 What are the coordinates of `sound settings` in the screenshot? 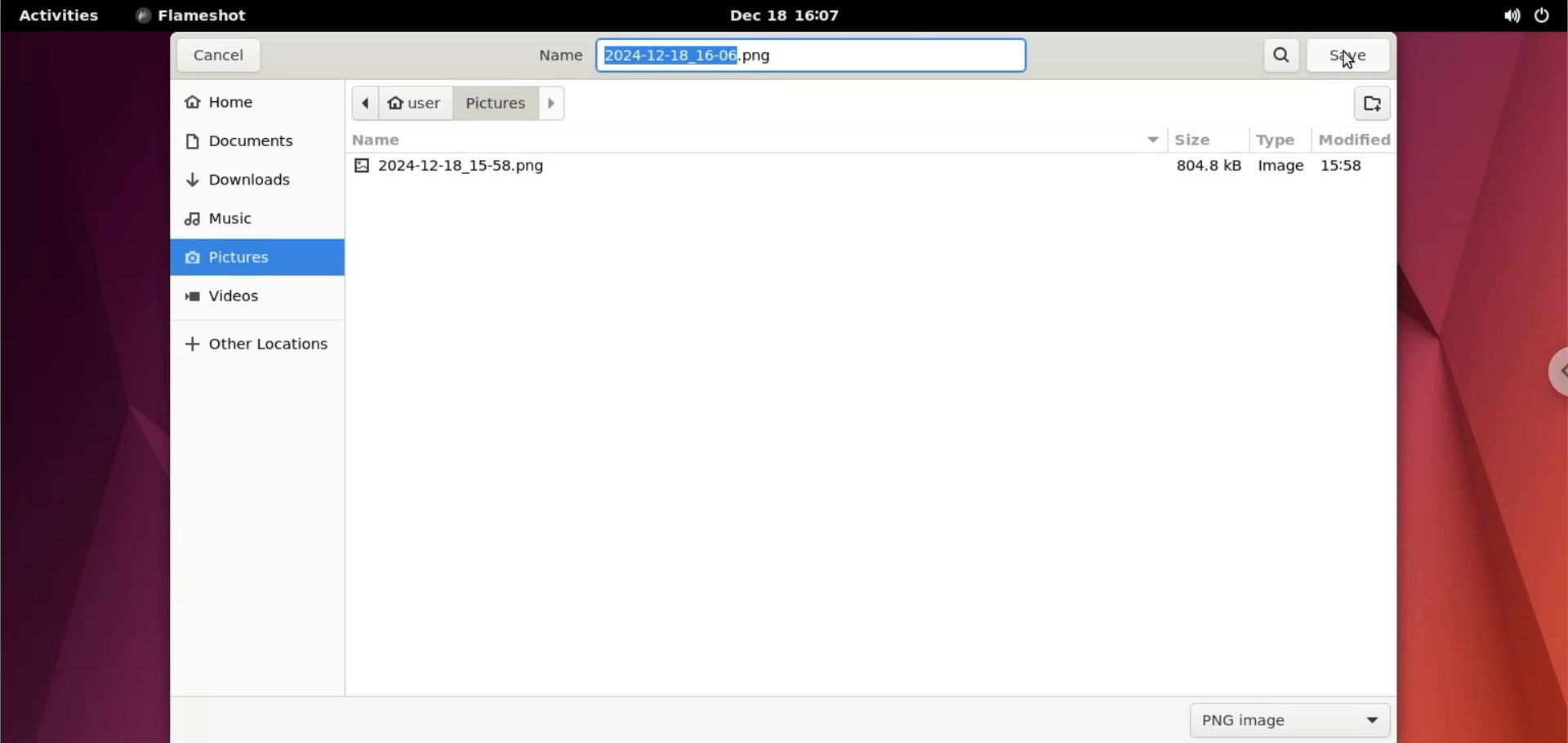 It's located at (1505, 16).